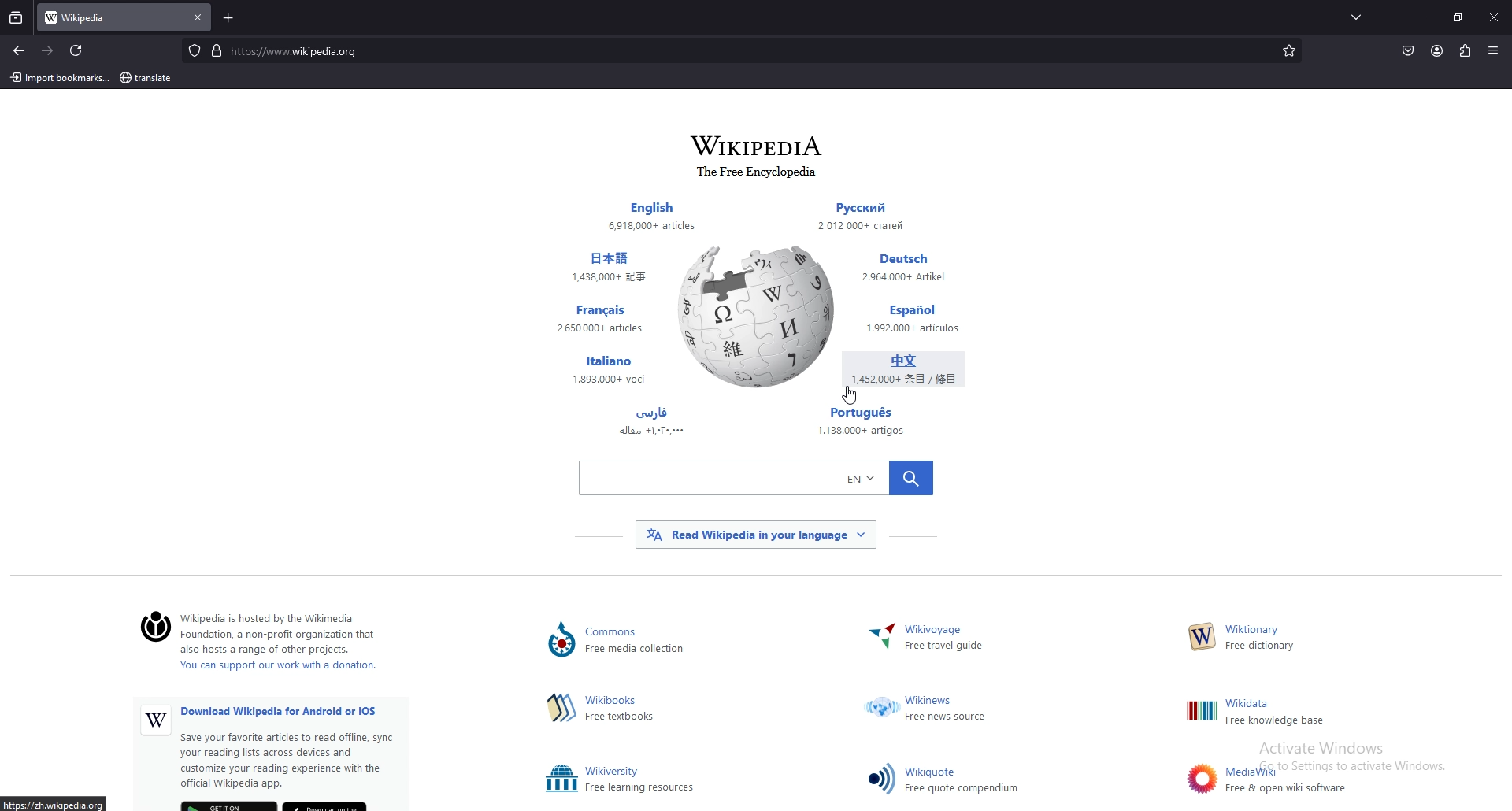  What do you see at coordinates (951, 639) in the screenshot?
I see `~ Wikivoyage
Free travel guide` at bounding box center [951, 639].